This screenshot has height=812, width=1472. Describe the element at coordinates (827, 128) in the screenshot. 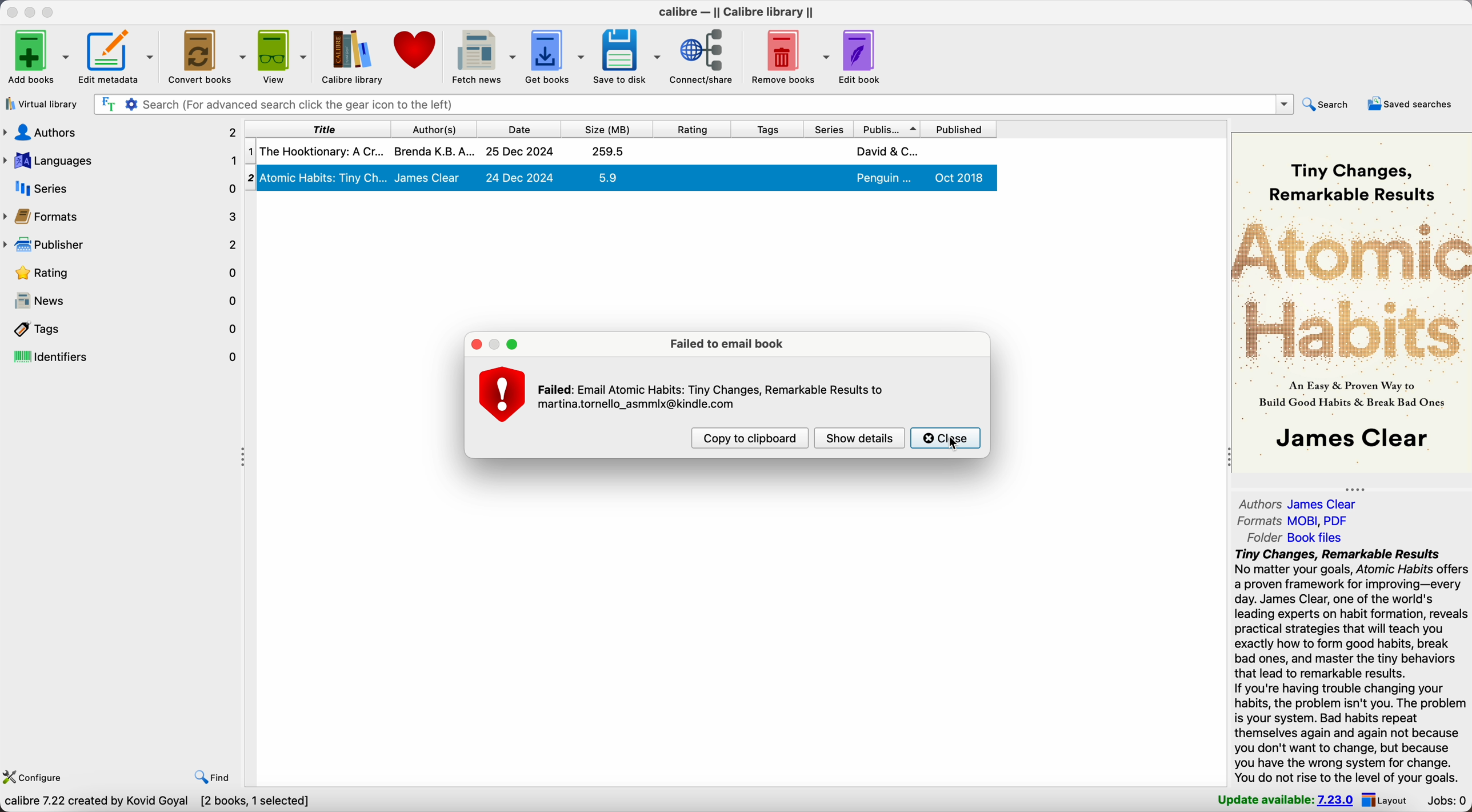

I see `series` at that location.